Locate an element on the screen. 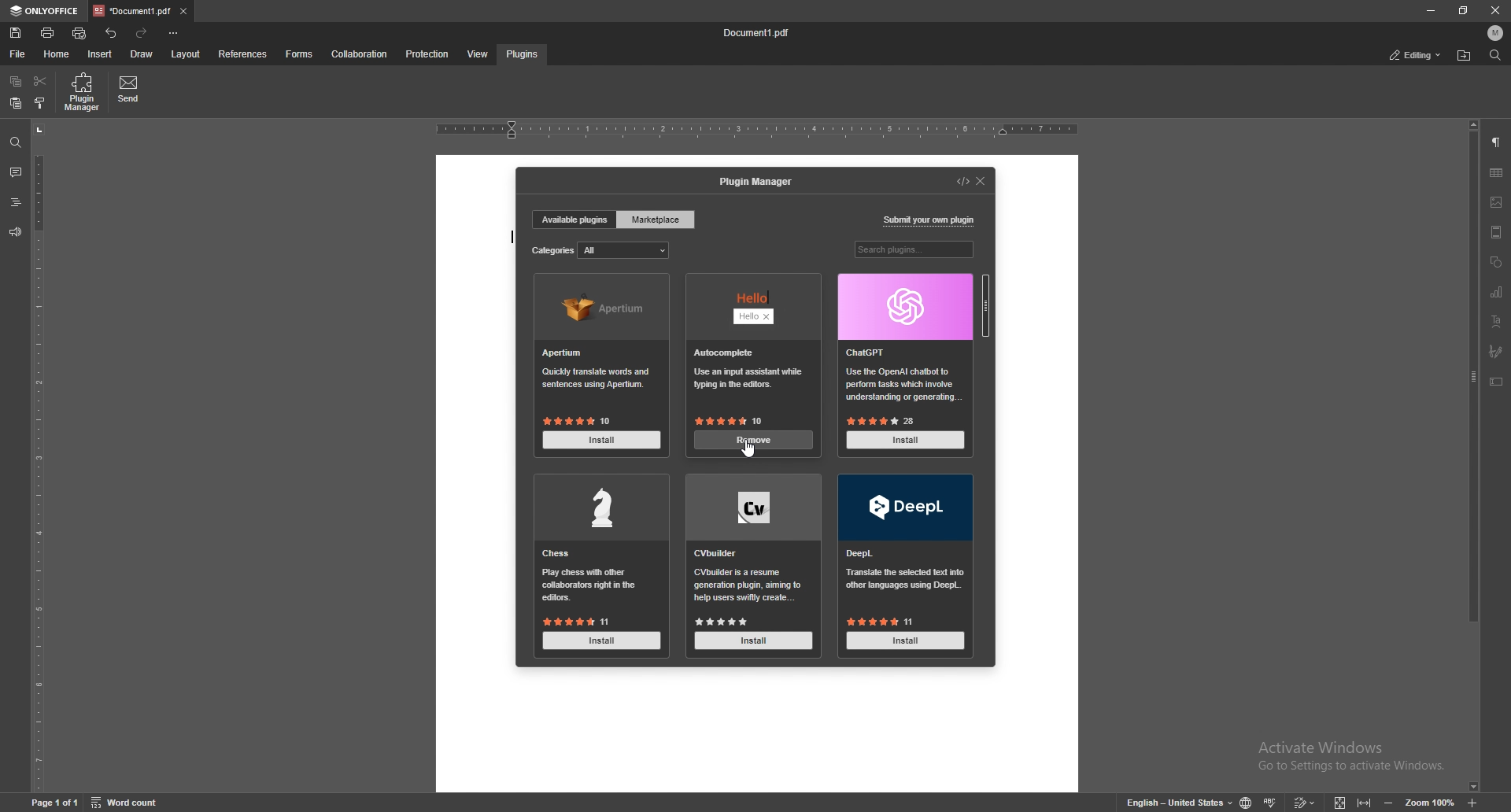 This screenshot has height=812, width=1511. paste is located at coordinates (16, 104).